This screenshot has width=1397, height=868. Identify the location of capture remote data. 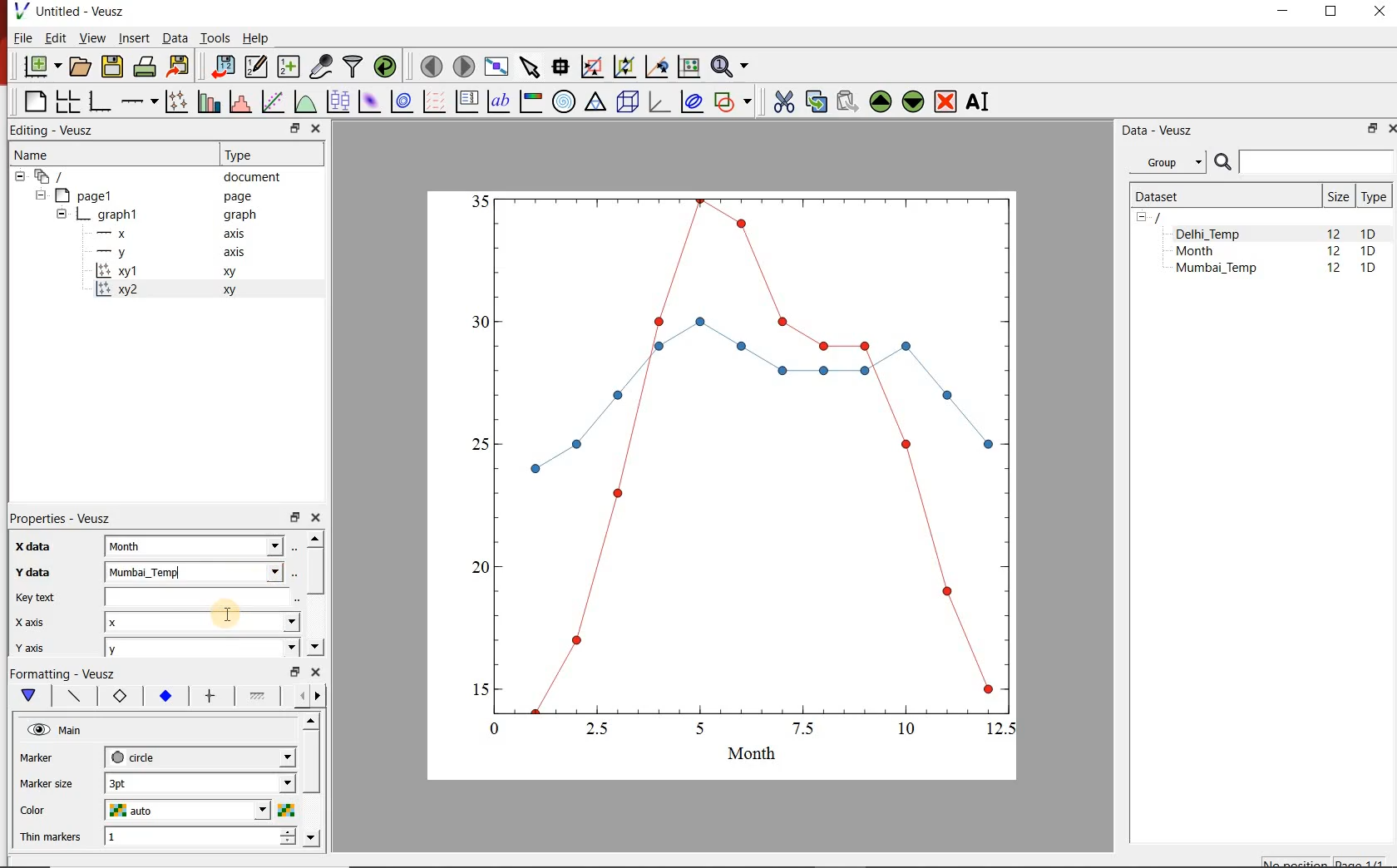
(322, 67).